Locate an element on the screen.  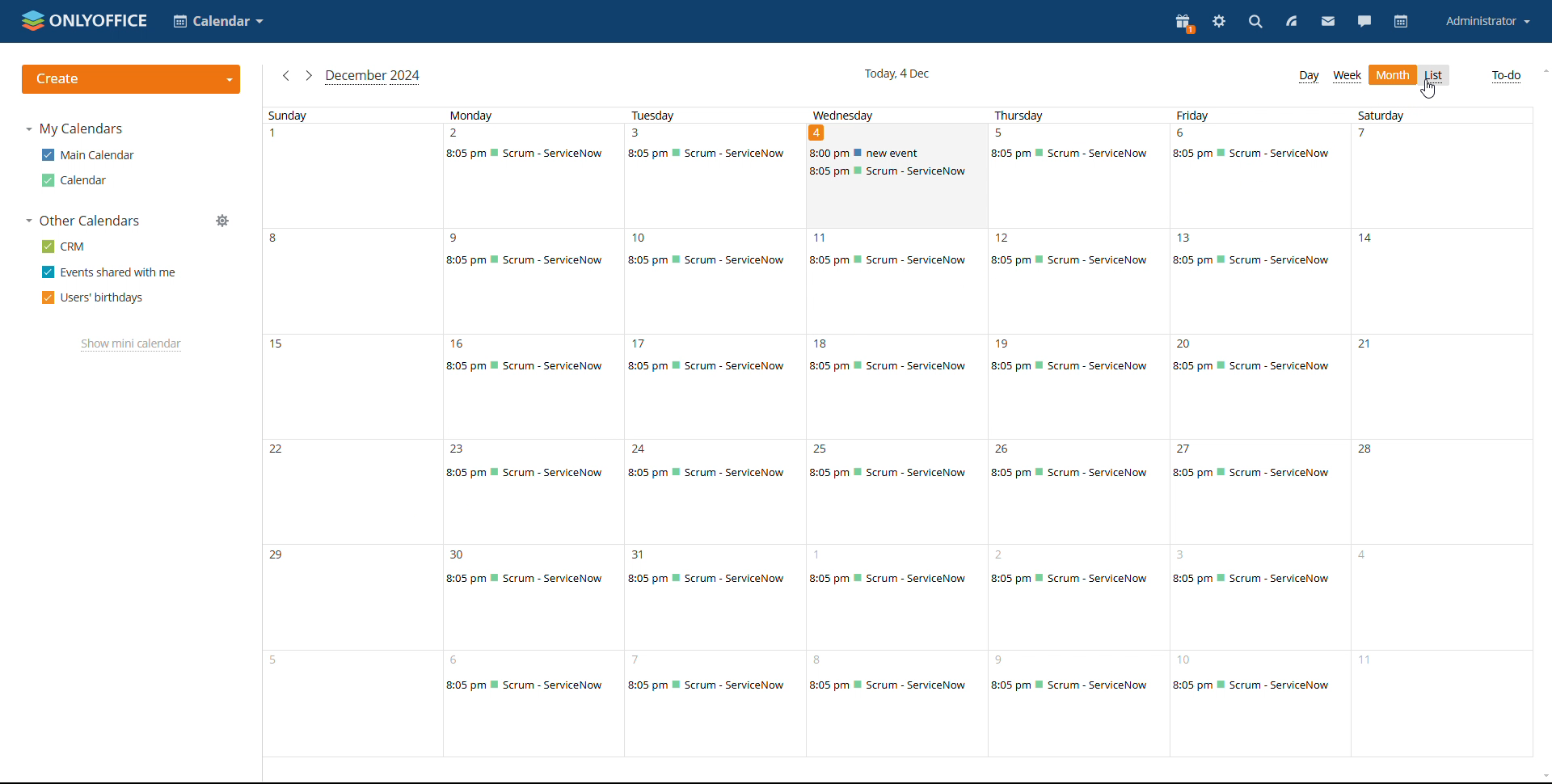
cursor is located at coordinates (1429, 89).